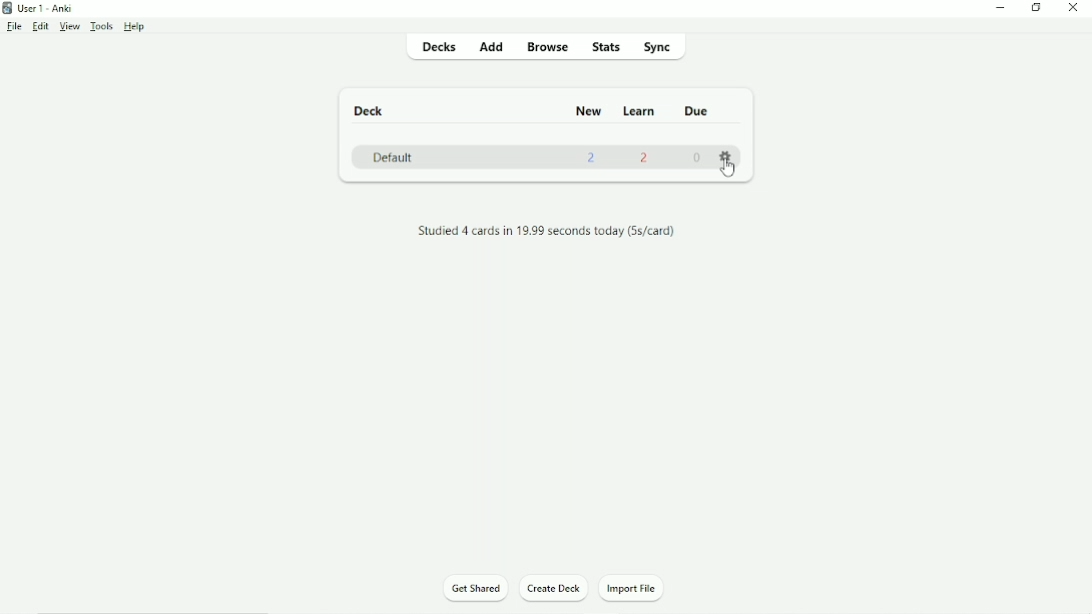  Describe the element at coordinates (726, 155) in the screenshot. I see `Settings` at that location.